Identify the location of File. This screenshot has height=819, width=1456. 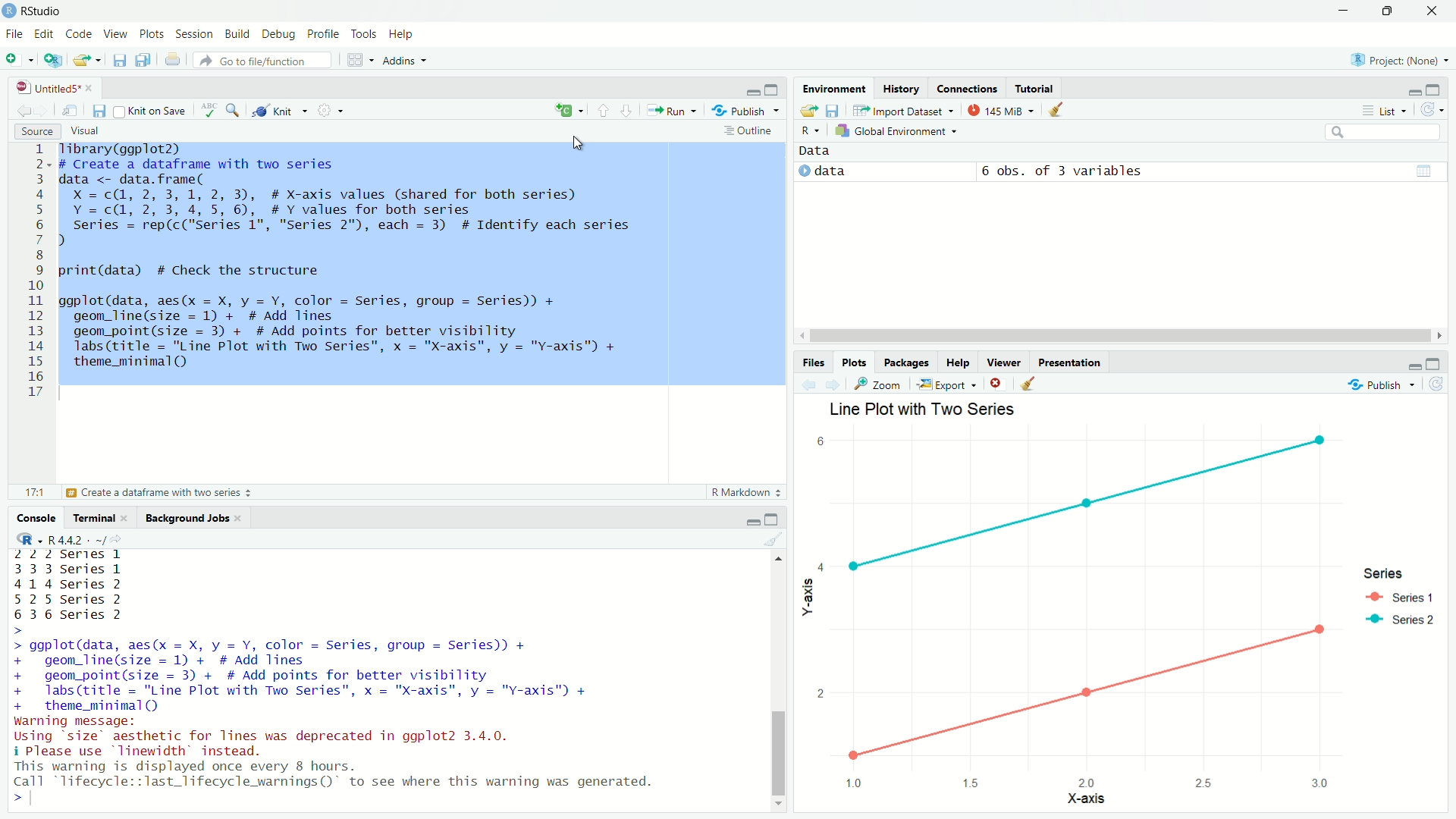
(14, 35).